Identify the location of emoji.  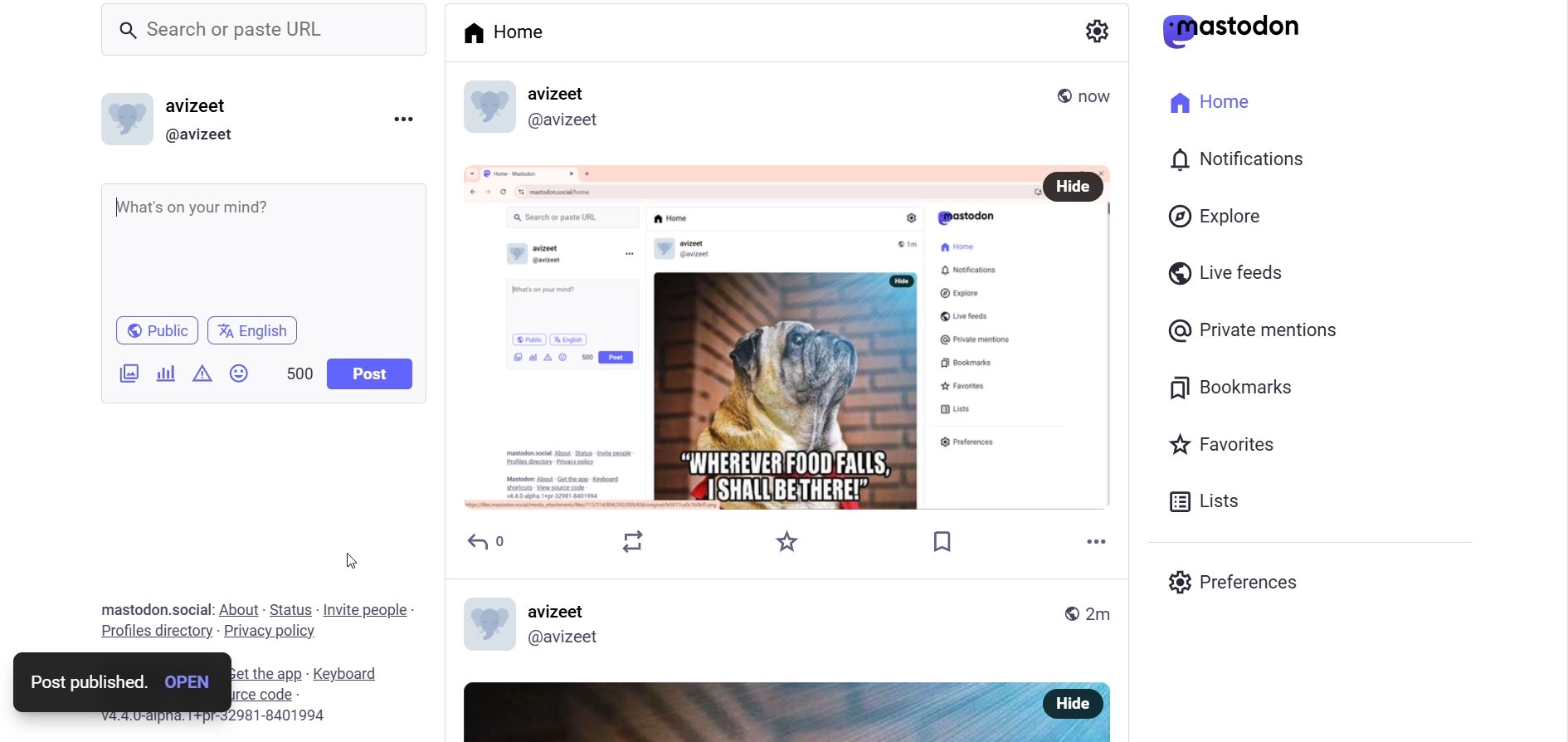
(237, 373).